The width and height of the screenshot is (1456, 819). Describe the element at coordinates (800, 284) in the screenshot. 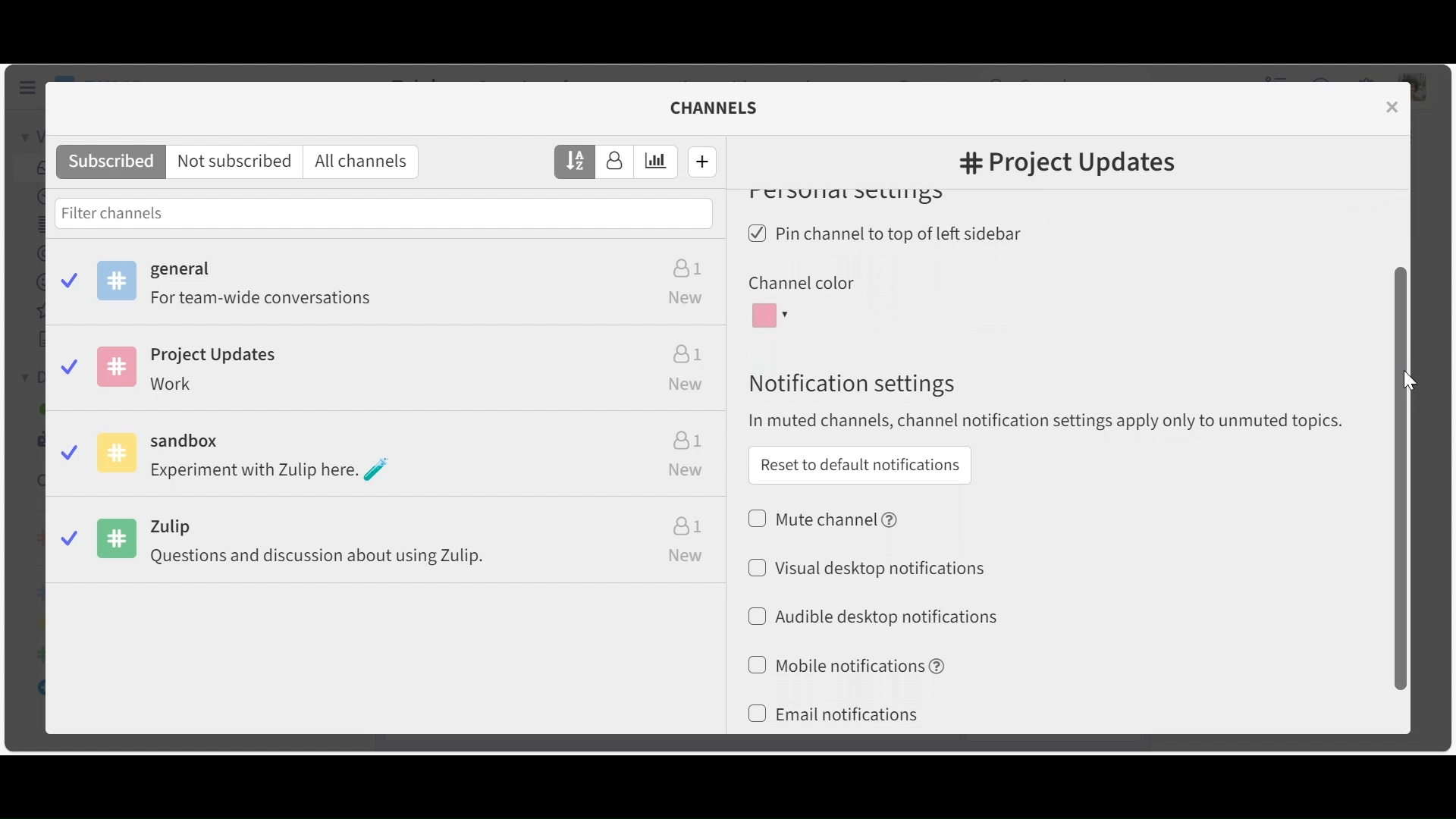

I see `Channel color` at that location.